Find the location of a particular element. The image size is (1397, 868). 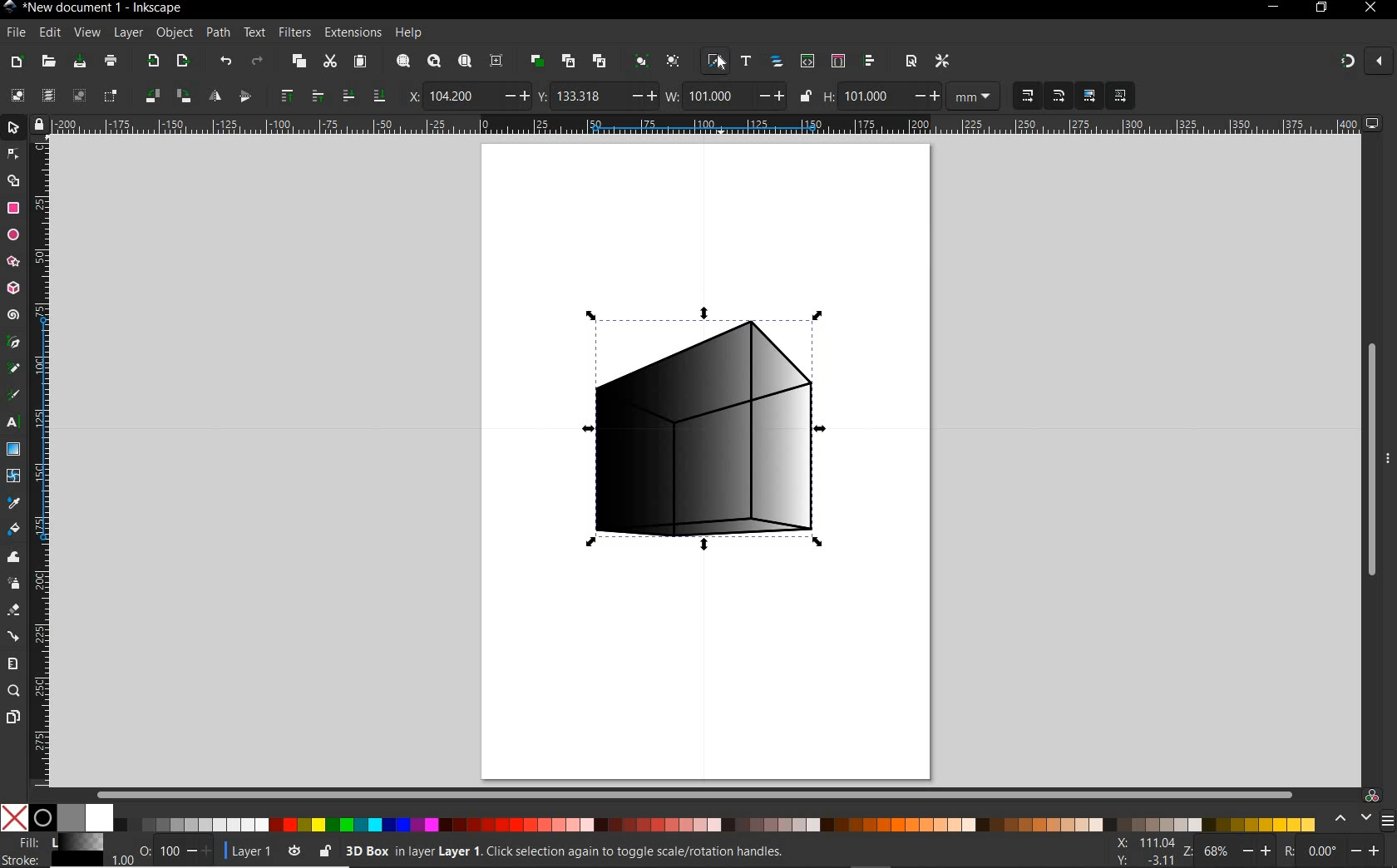

HORIZONTAL COORDINATE OF SELECTION is located at coordinates (410, 96).